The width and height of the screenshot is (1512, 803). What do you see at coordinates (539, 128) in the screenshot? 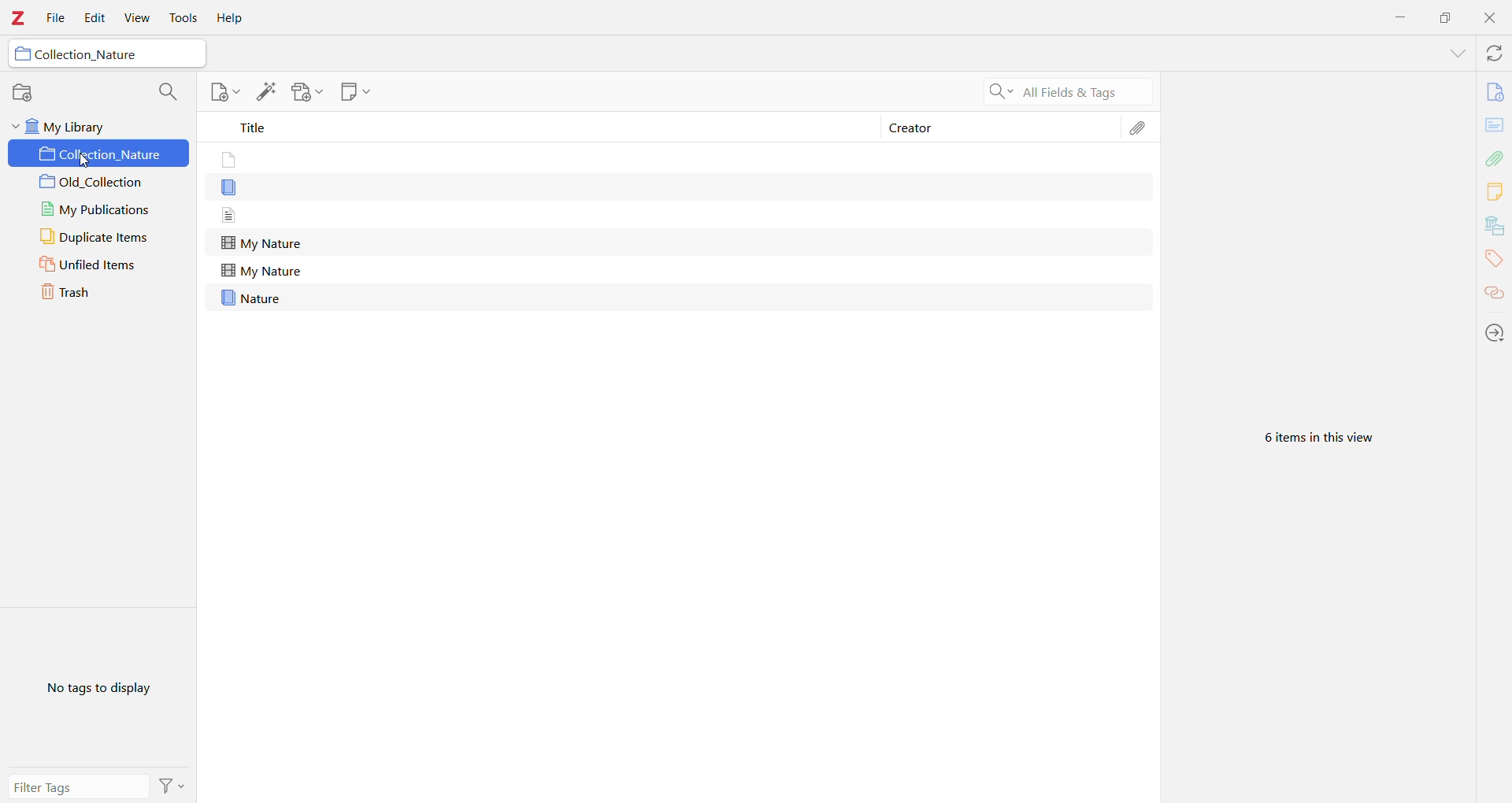
I see `Title` at bounding box center [539, 128].